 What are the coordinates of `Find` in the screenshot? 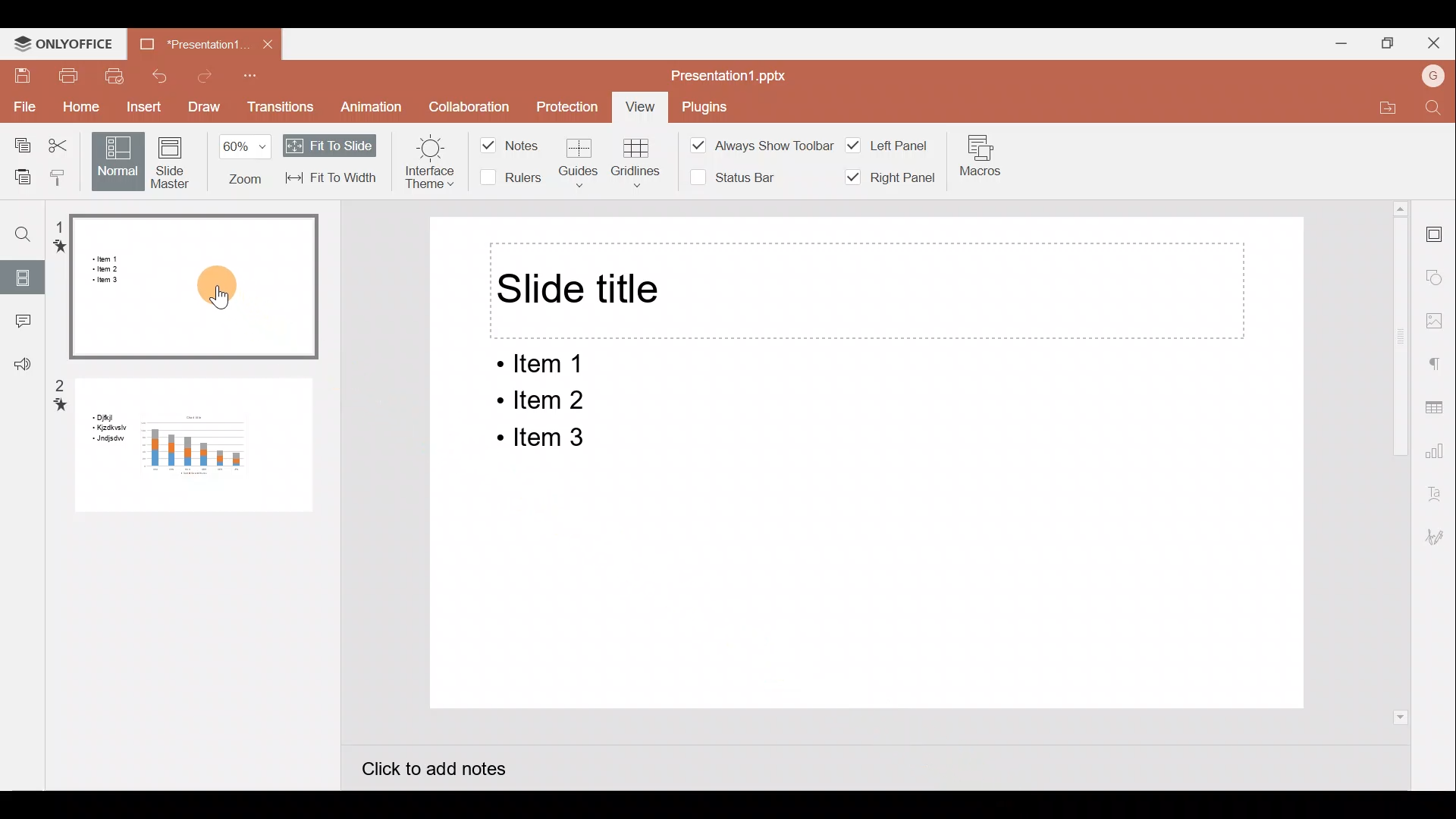 It's located at (18, 228).